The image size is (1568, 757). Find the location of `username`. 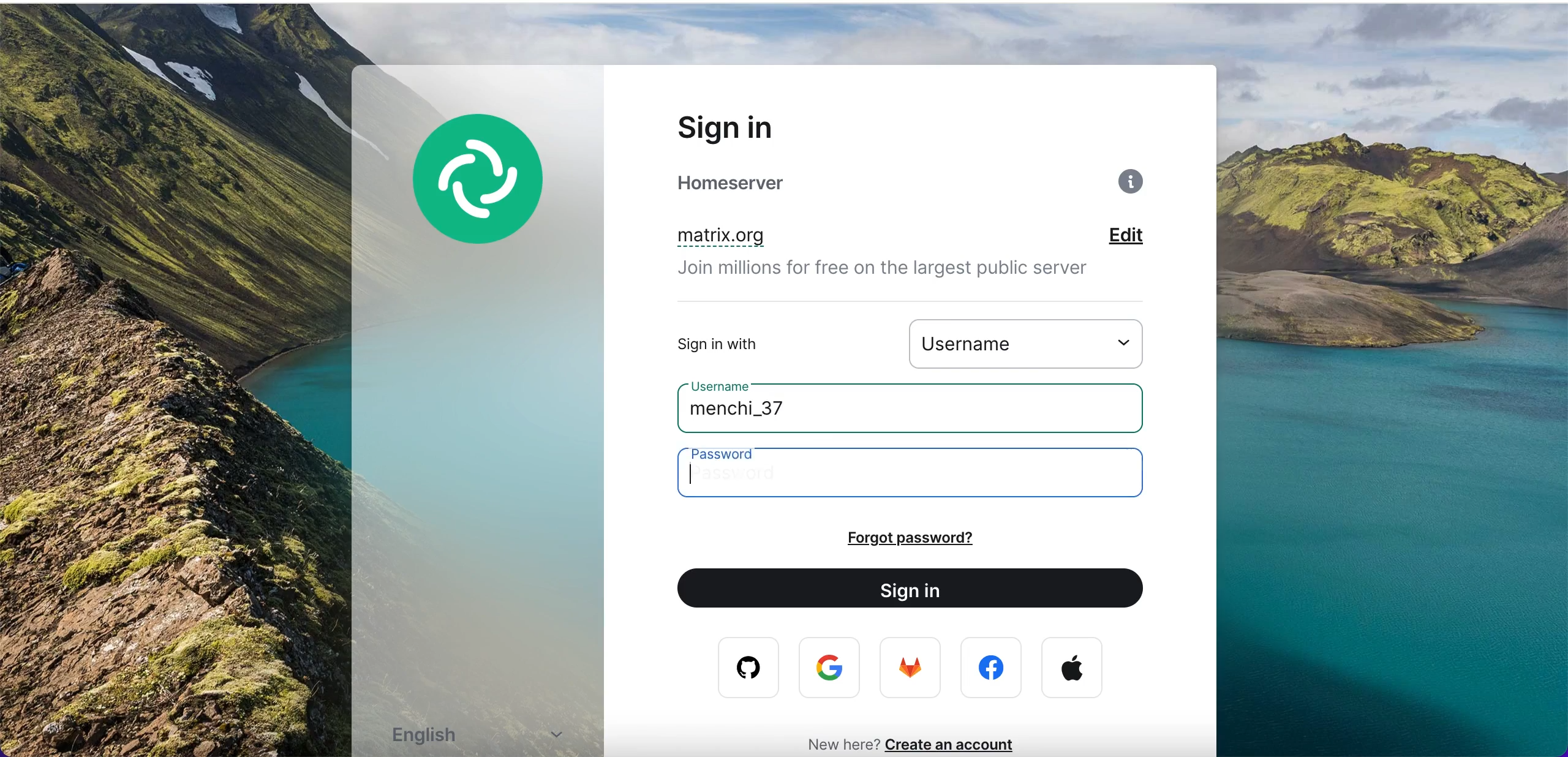

username is located at coordinates (728, 383).